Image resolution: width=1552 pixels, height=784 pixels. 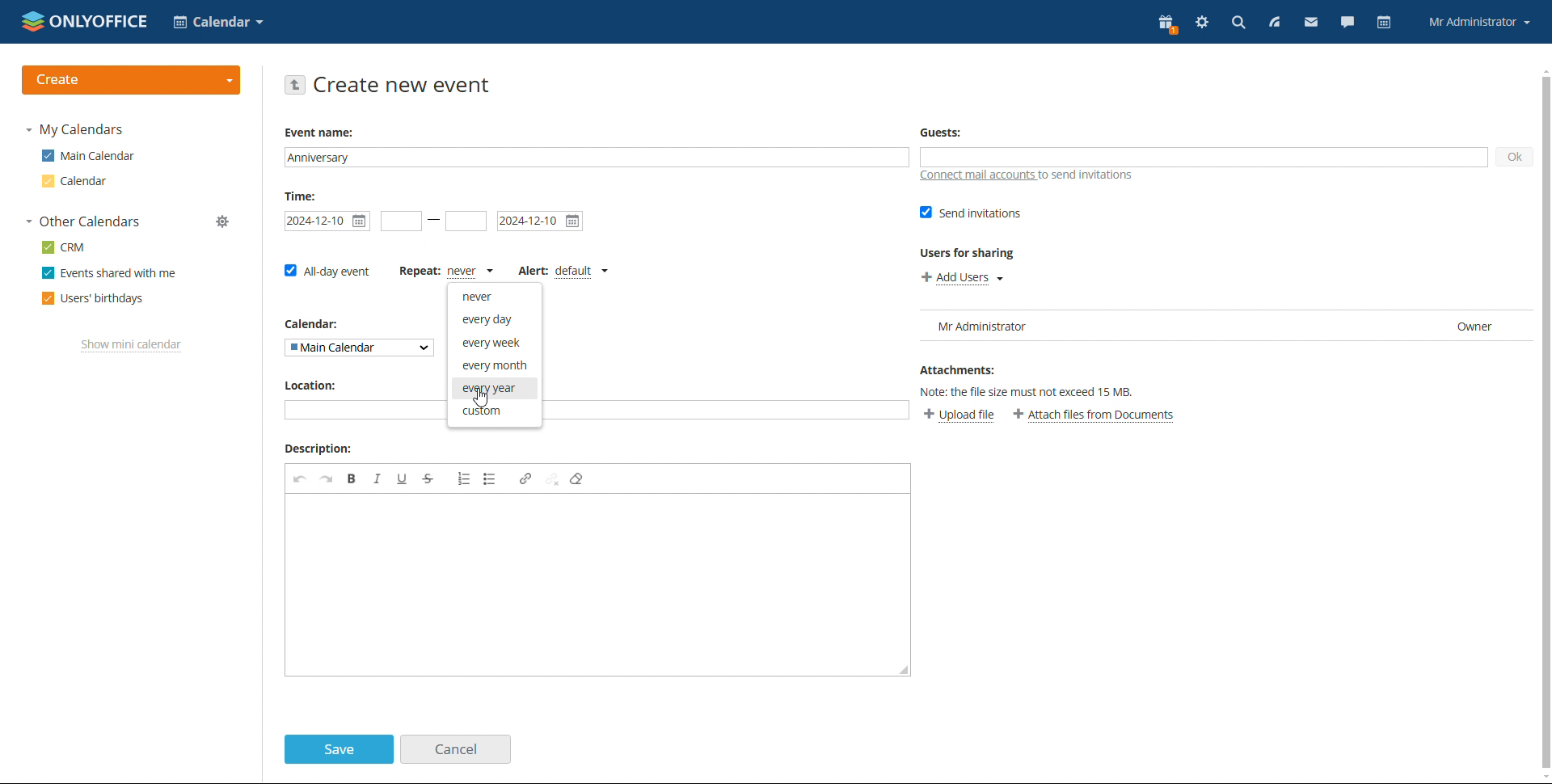 What do you see at coordinates (1095, 415) in the screenshot?
I see `attach file from documents` at bounding box center [1095, 415].